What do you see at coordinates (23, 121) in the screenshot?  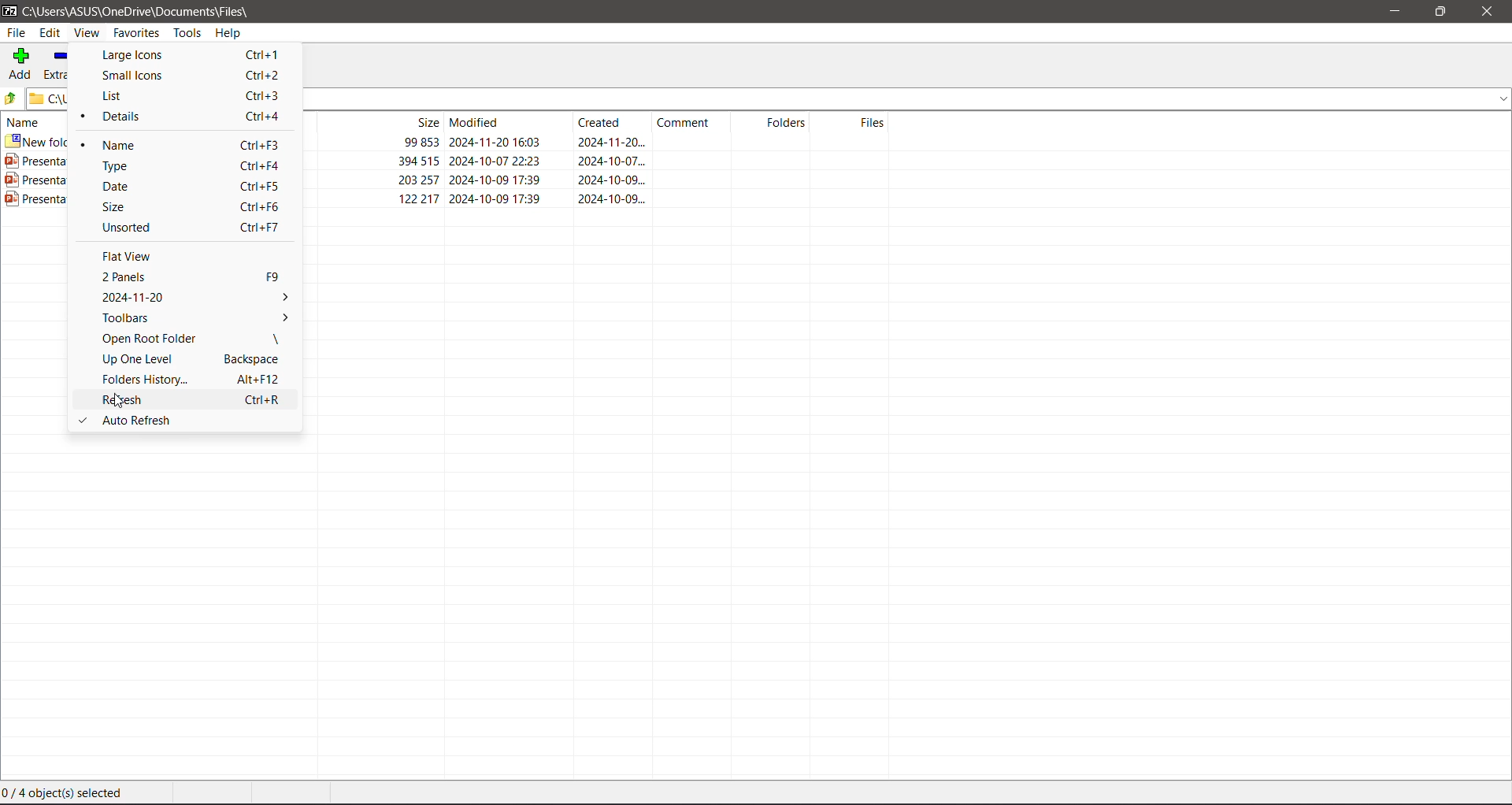 I see `name` at bounding box center [23, 121].